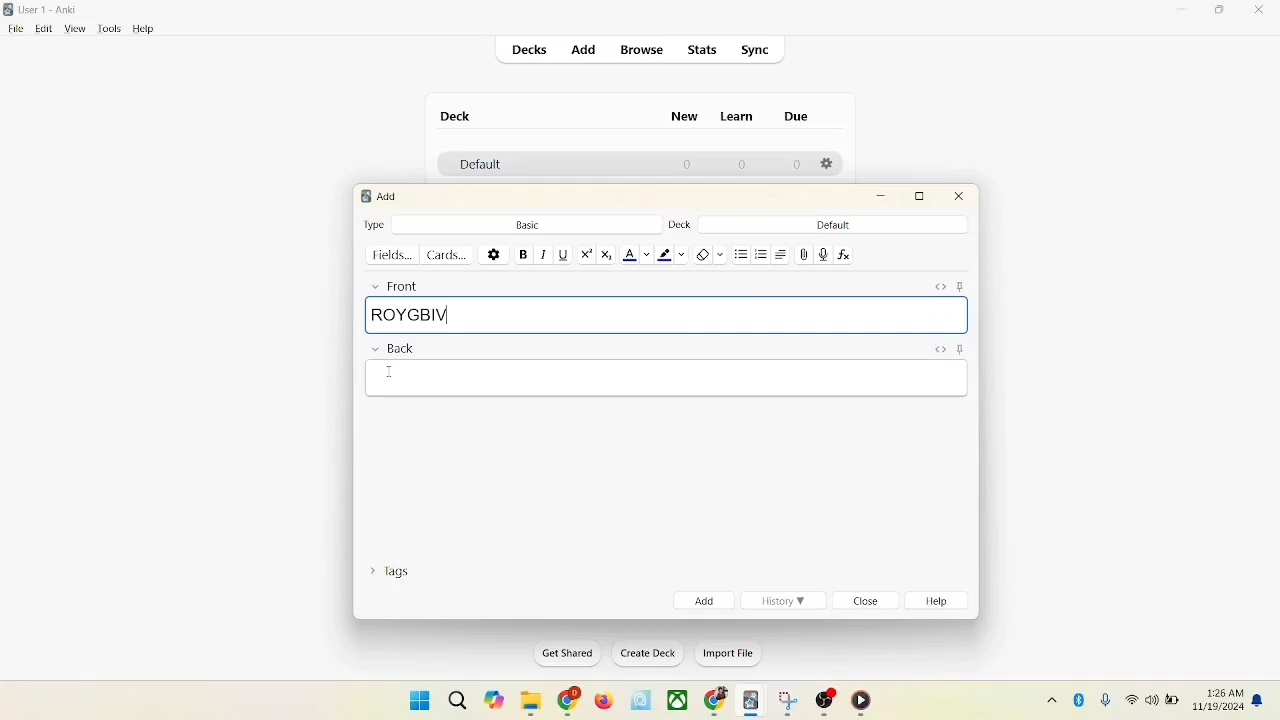  Describe the element at coordinates (388, 372) in the screenshot. I see `colors` at that location.